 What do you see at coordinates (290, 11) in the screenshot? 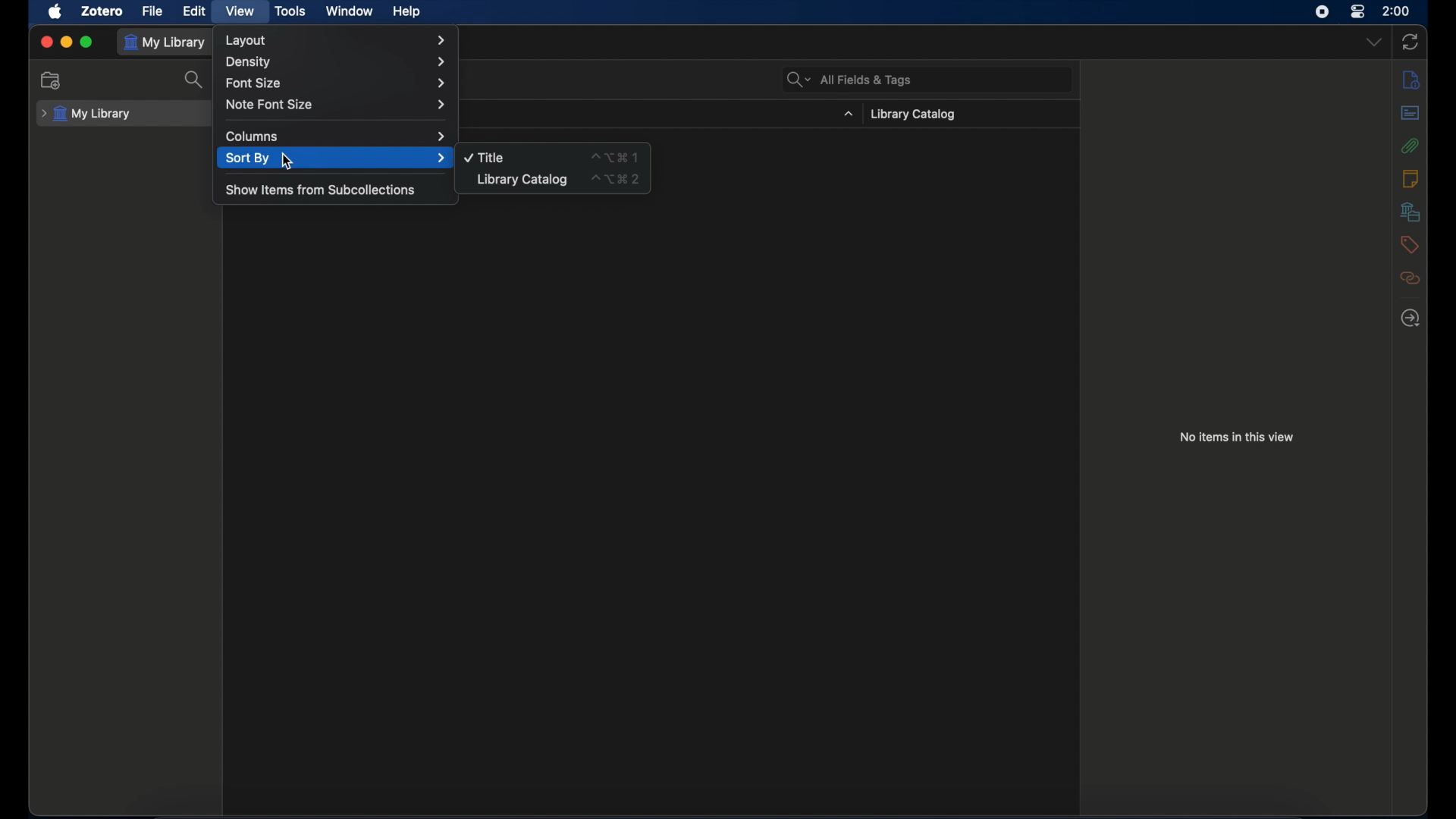
I see `tools` at bounding box center [290, 11].